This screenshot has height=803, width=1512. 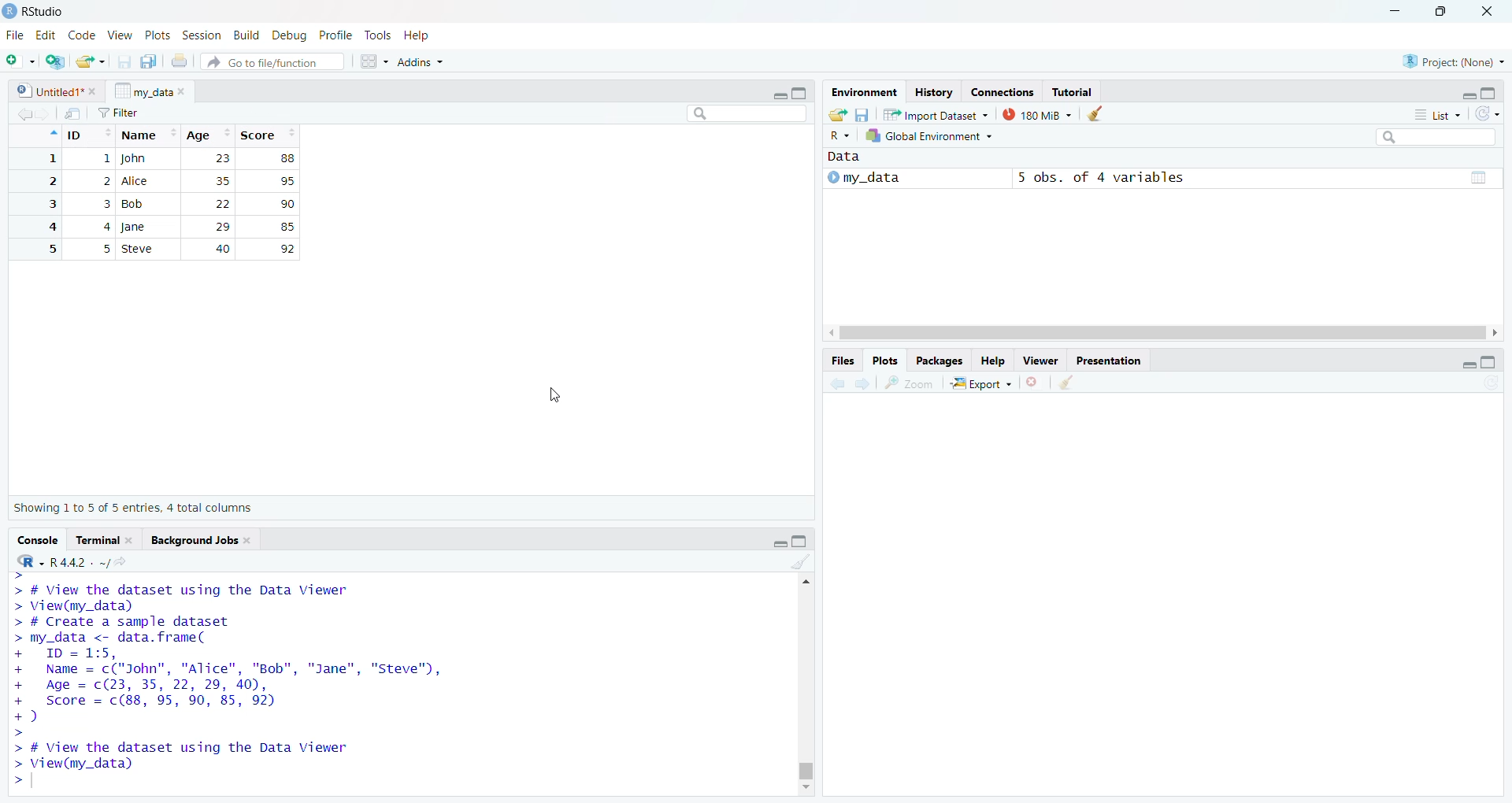 What do you see at coordinates (889, 361) in the screenshot?
I see `Plots` at bounding box center [889, 361].